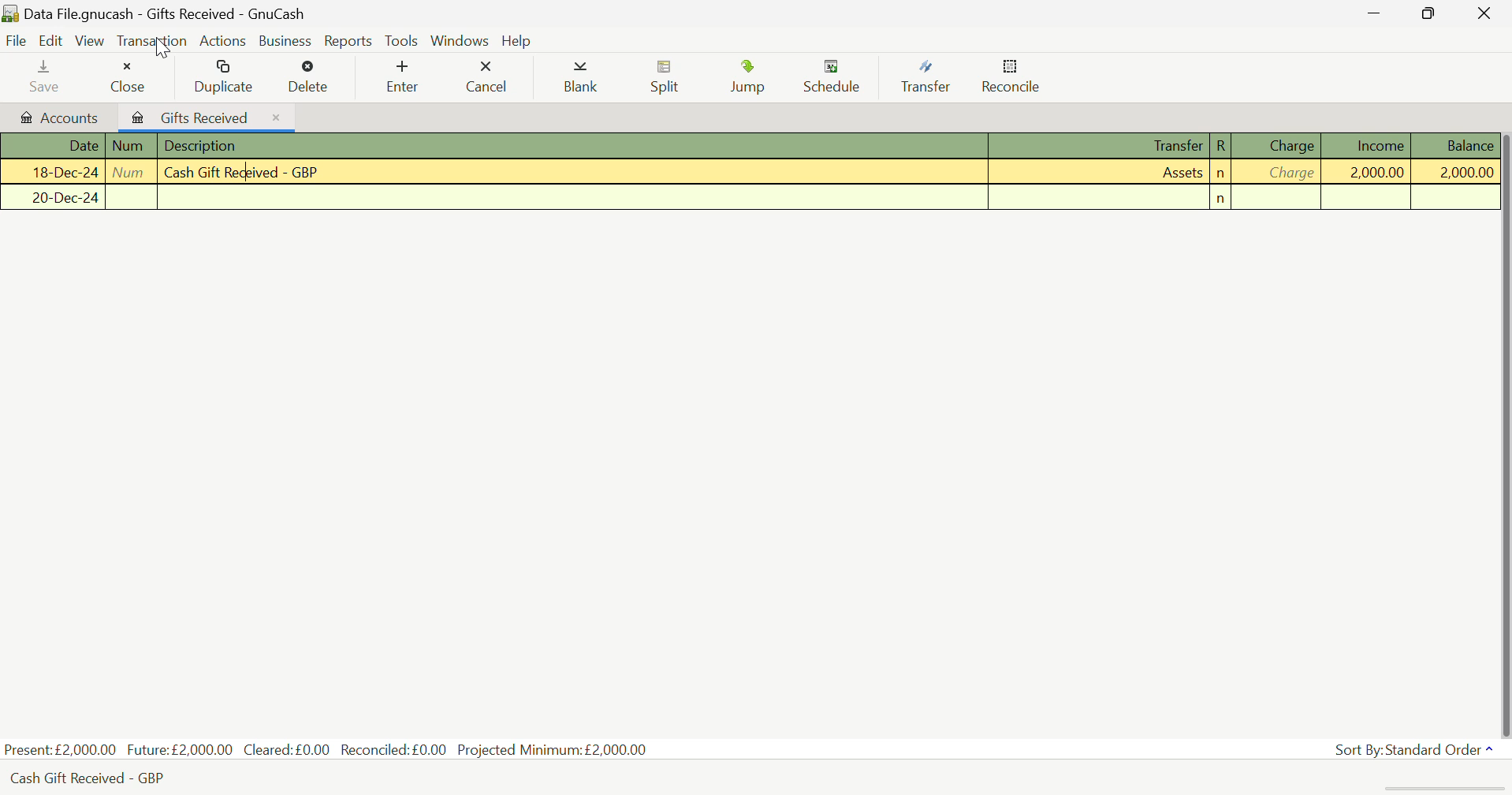 This screenshot has height=795, width=1512. What do you see at coordinates (291, 749) in the screenshot?
I see `Cleared` at bounding box center [291, 749].